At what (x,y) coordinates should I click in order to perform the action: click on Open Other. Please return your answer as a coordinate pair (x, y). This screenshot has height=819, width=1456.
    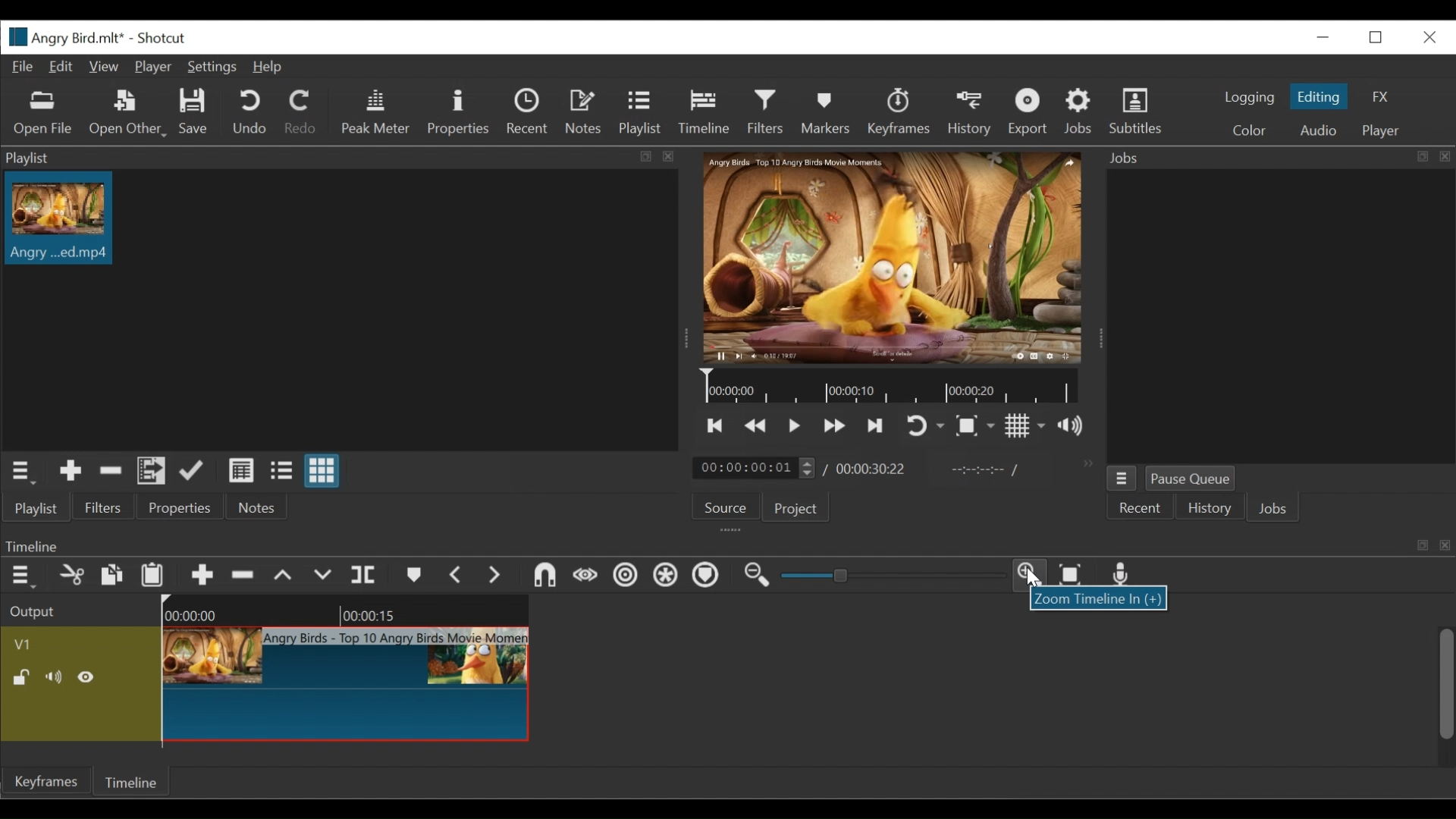
    Looking at the image, I should click on (128, 114).